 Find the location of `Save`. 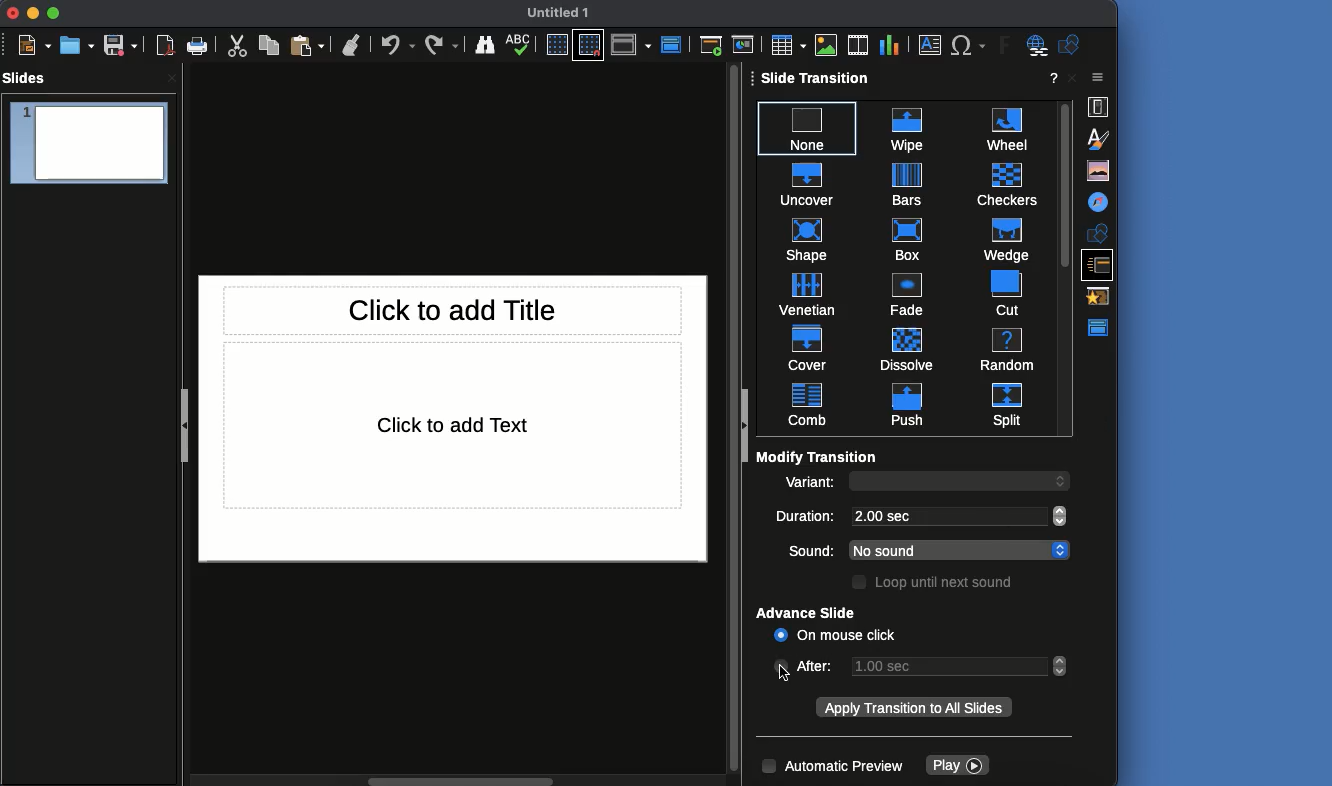

Save is located at coordinates (121, 44).